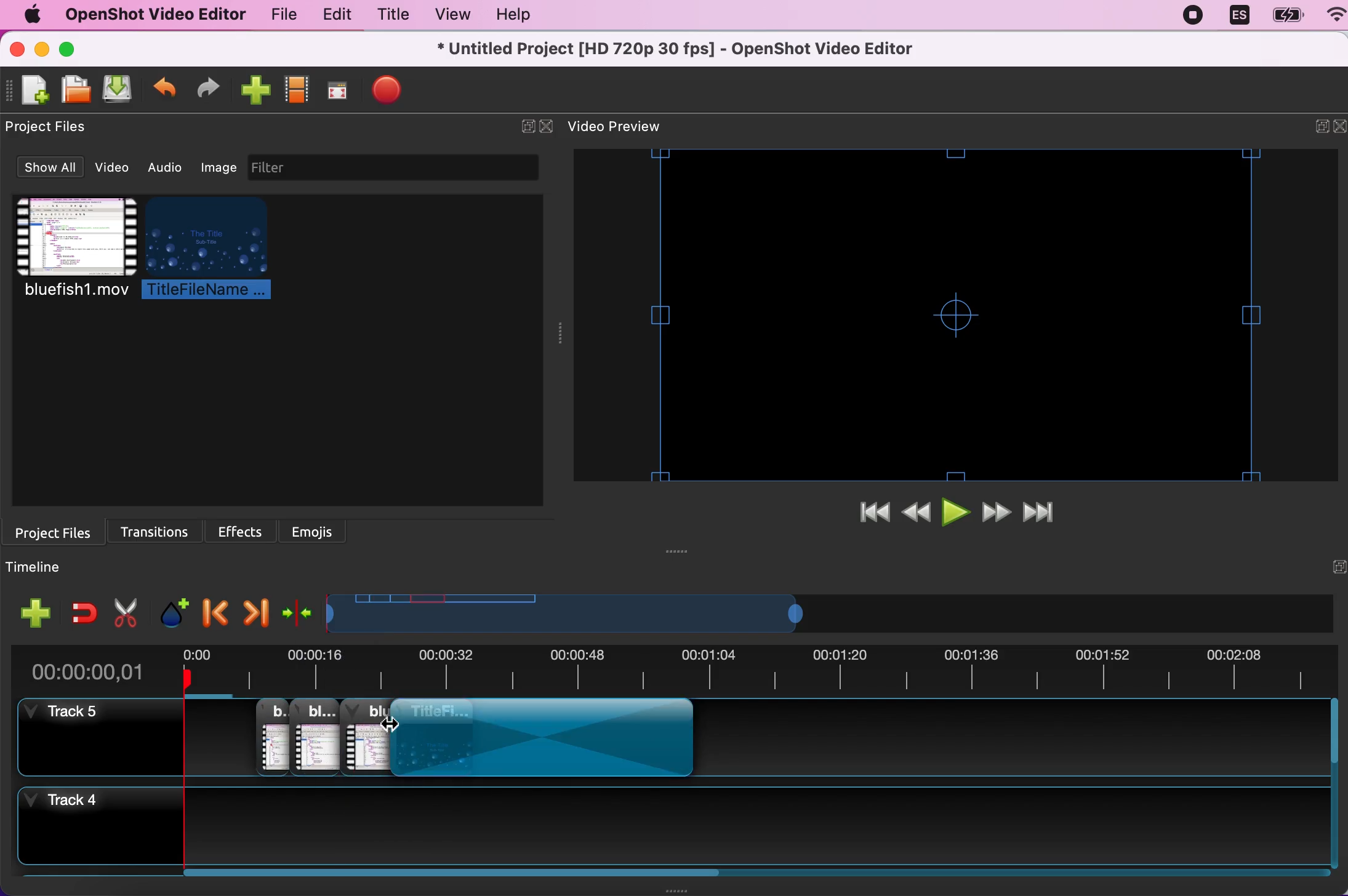  I want to click on full screen, so click(336, 94).